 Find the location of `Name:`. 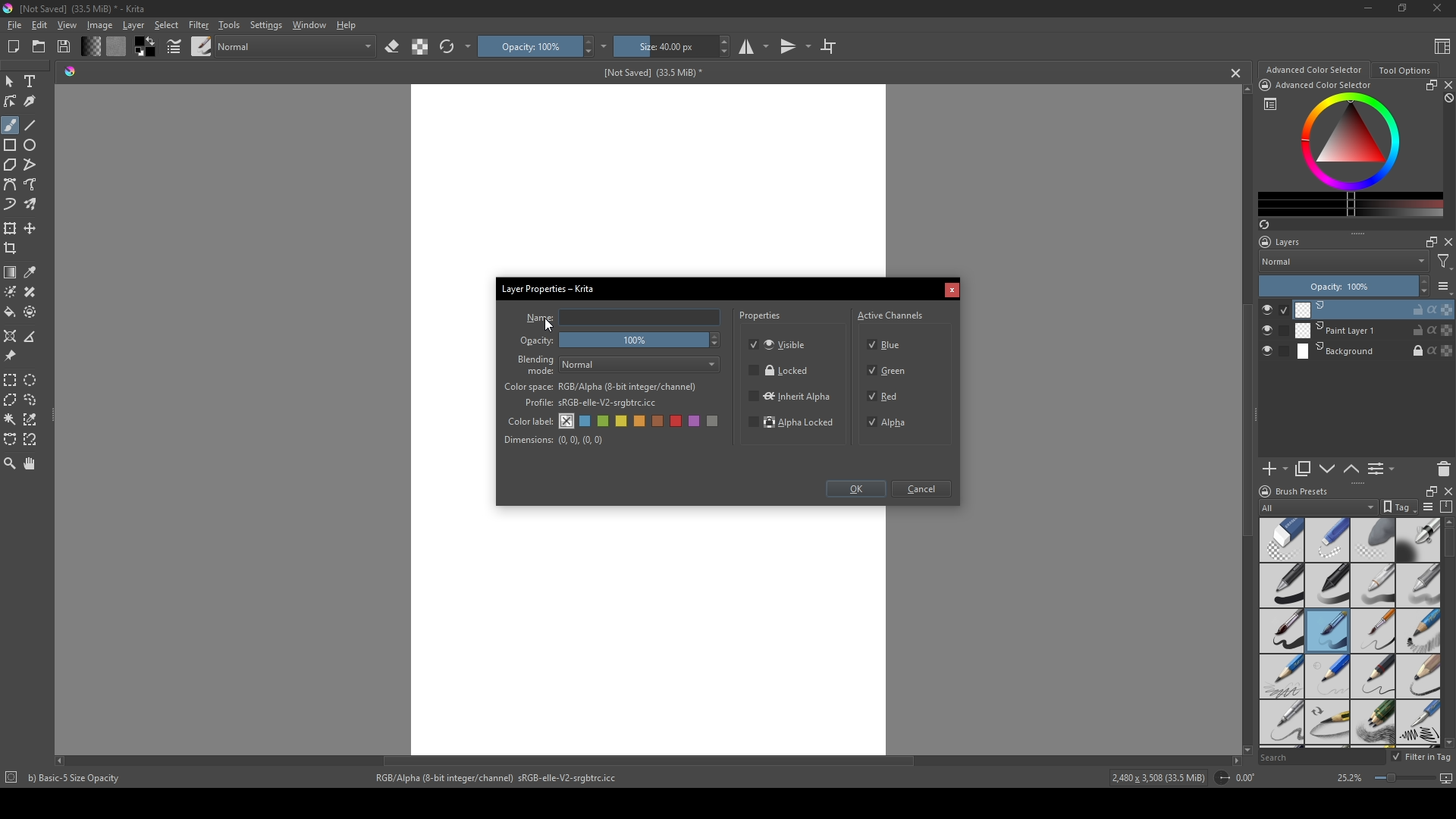

Name: is located at coordinates (538, 318).